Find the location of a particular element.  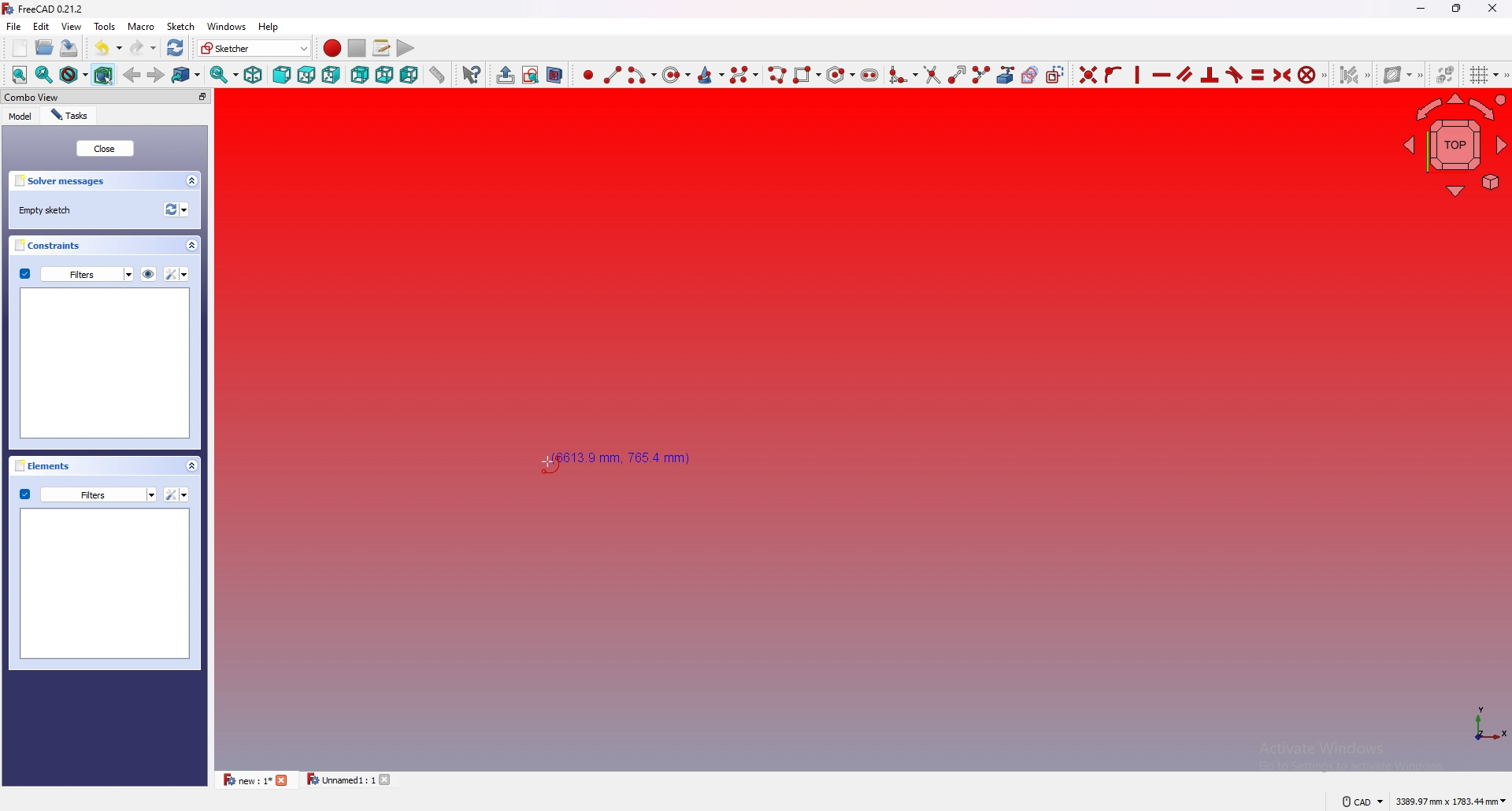

refresh is located at coordinates (176, 48).